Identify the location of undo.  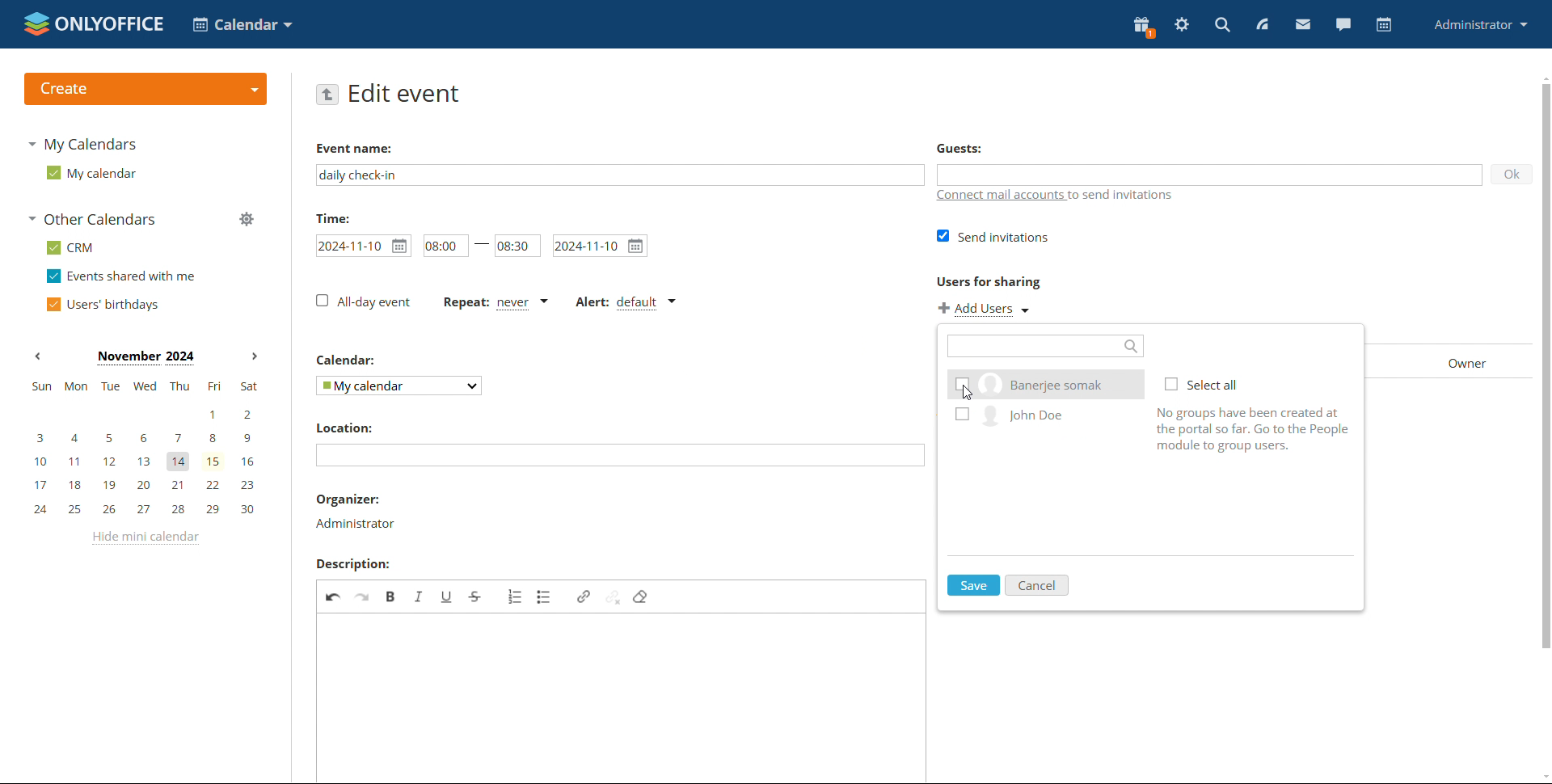
(334, 595).